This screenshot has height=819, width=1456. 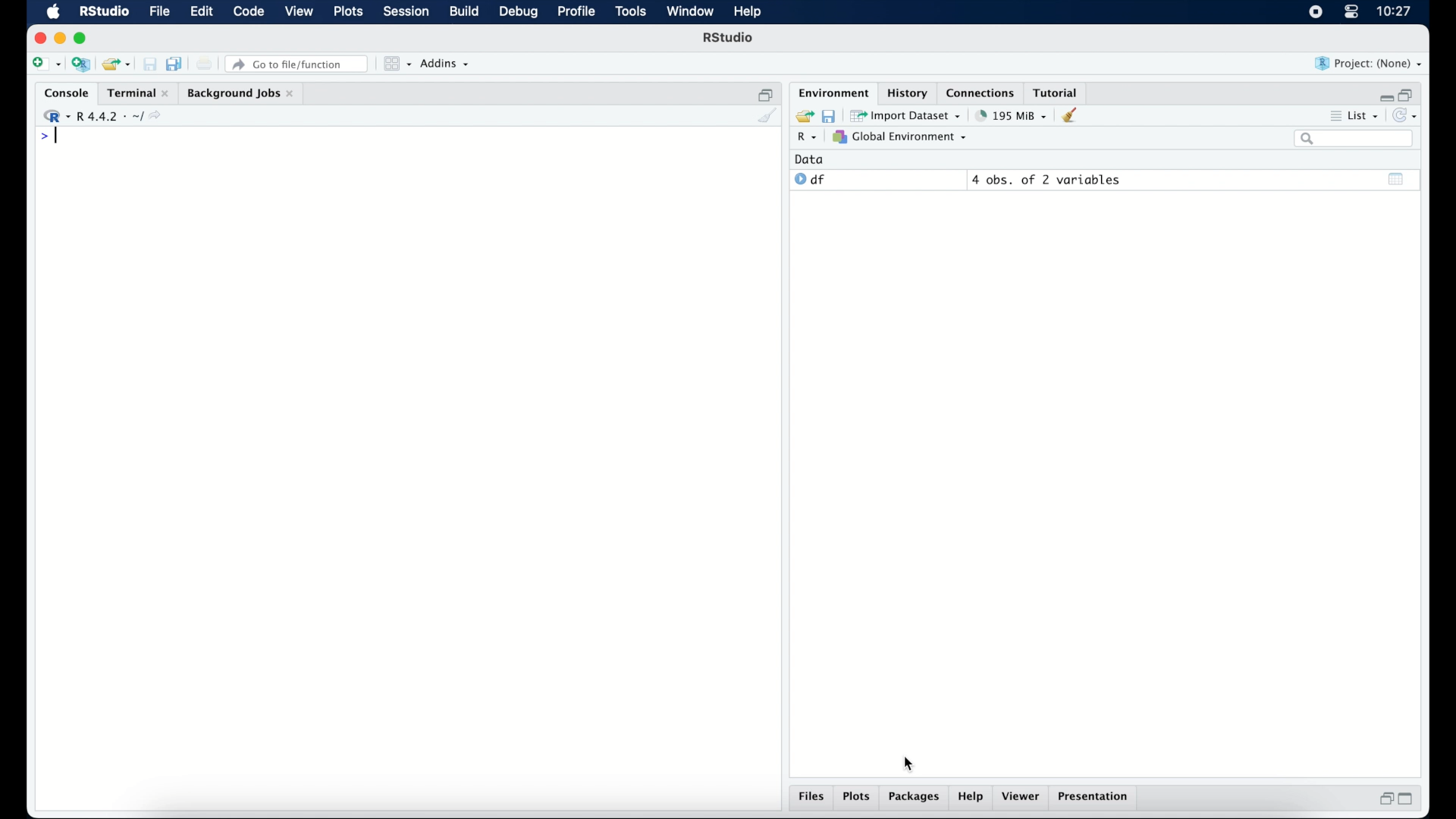 I want to click on close, so click(x=40, y=38).